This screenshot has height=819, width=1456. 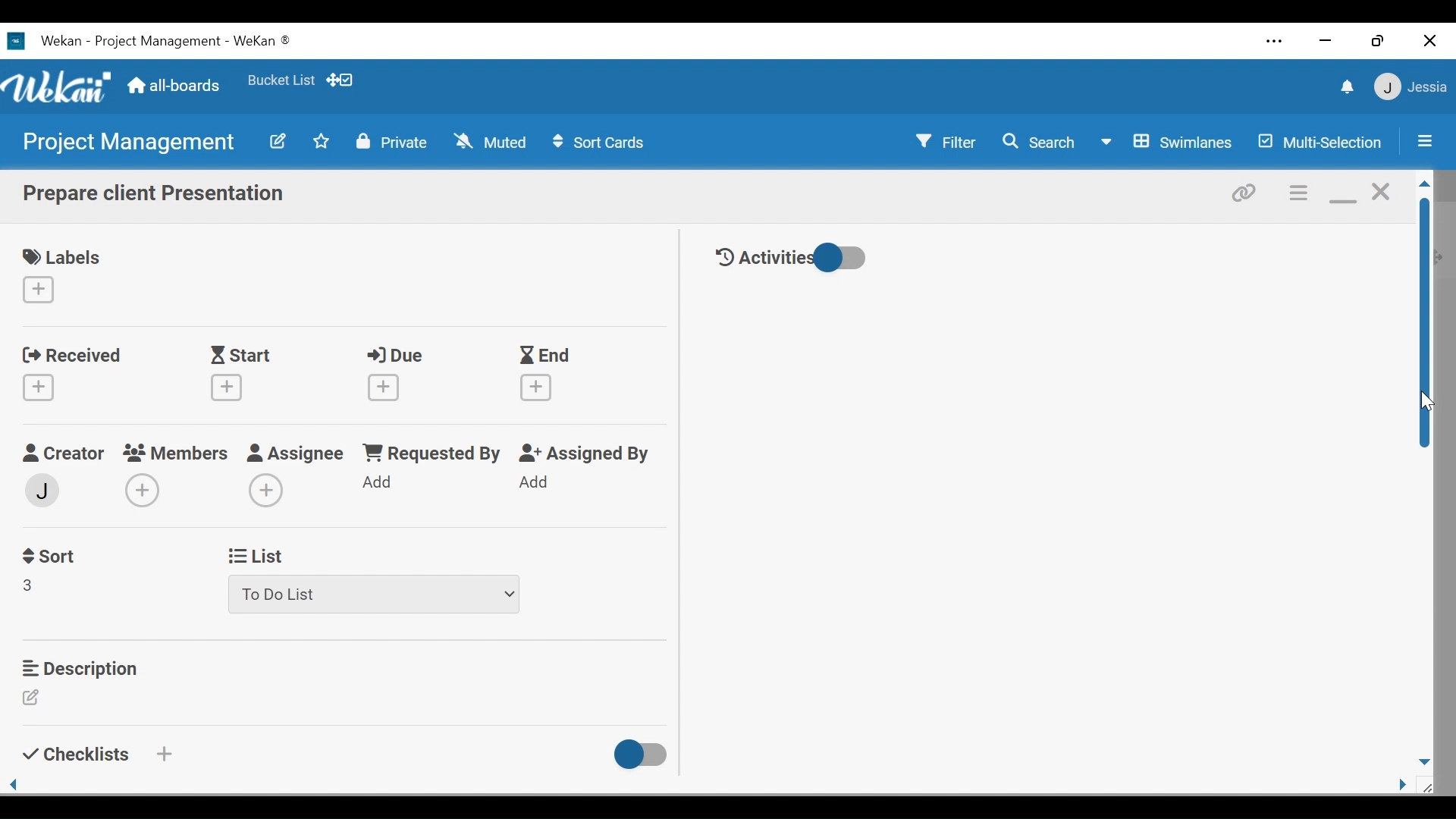 What do you see at coordinates (280, 143) in the screenshot?
I see `Edit` at bounding box center [280, 143].